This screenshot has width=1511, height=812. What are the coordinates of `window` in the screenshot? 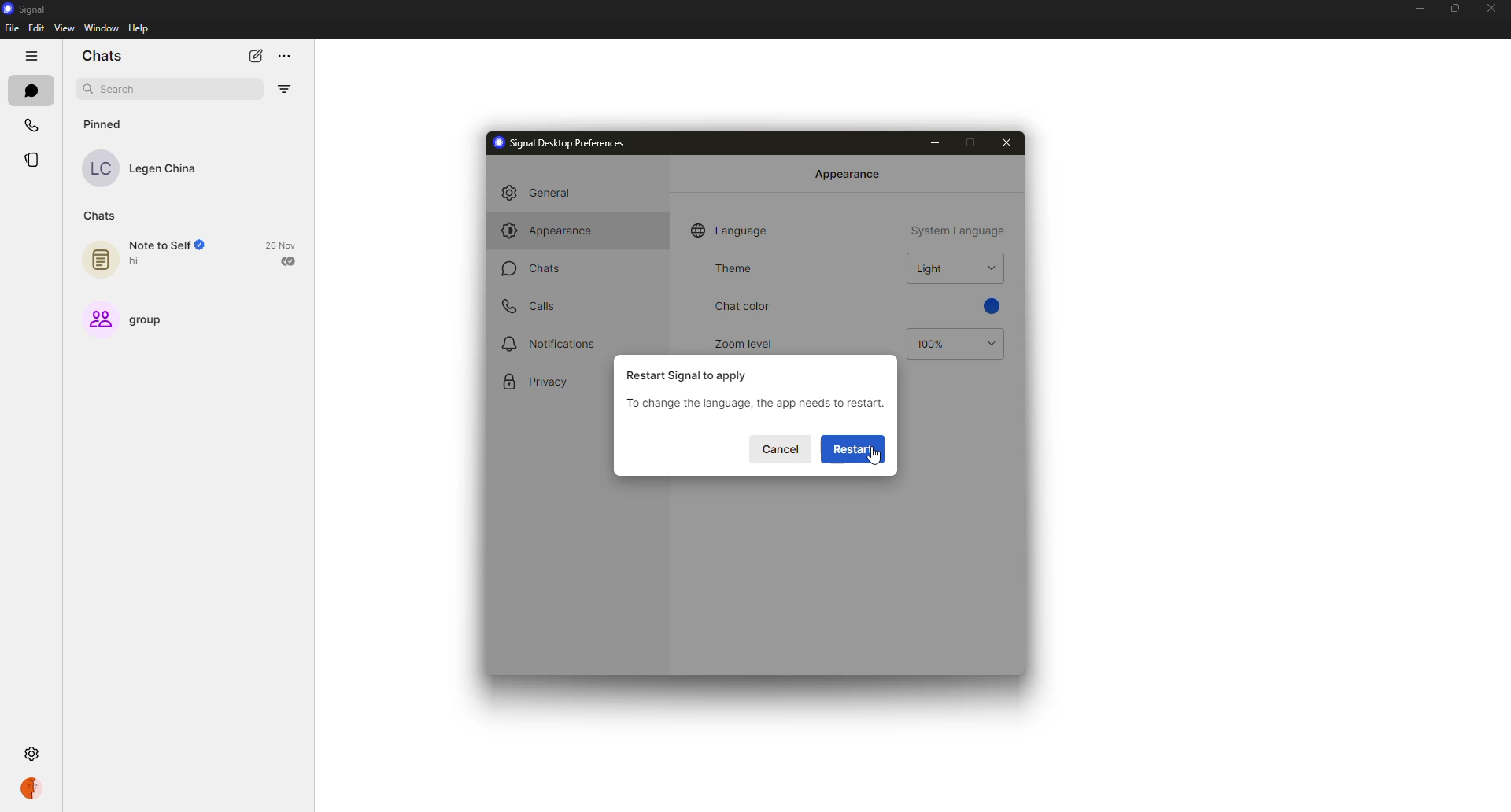 It's located at (101, 29).